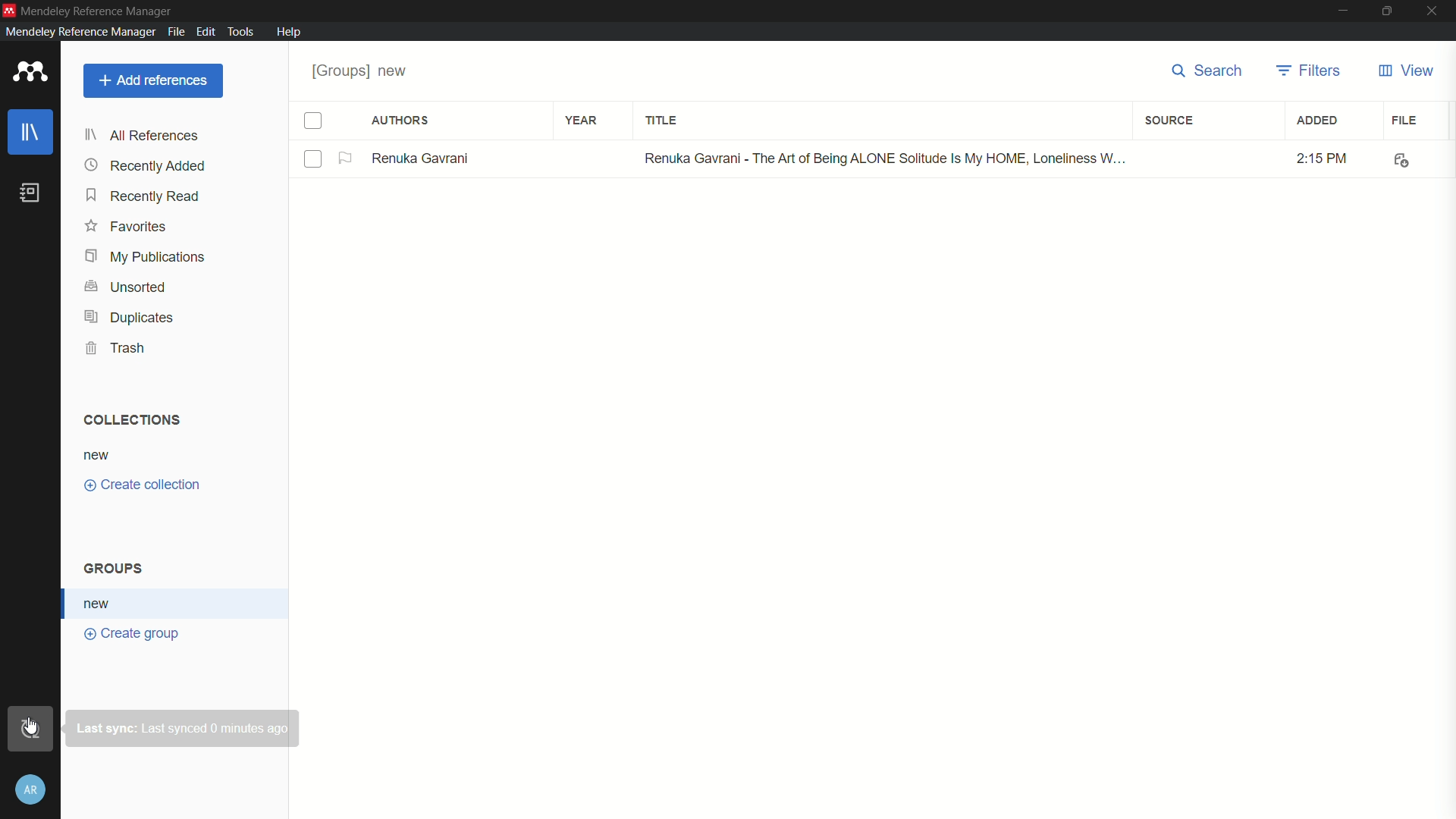  What do you see at coordinates (31, 193) in the screenshot?
I see `book` at bounding box center [31, 193].